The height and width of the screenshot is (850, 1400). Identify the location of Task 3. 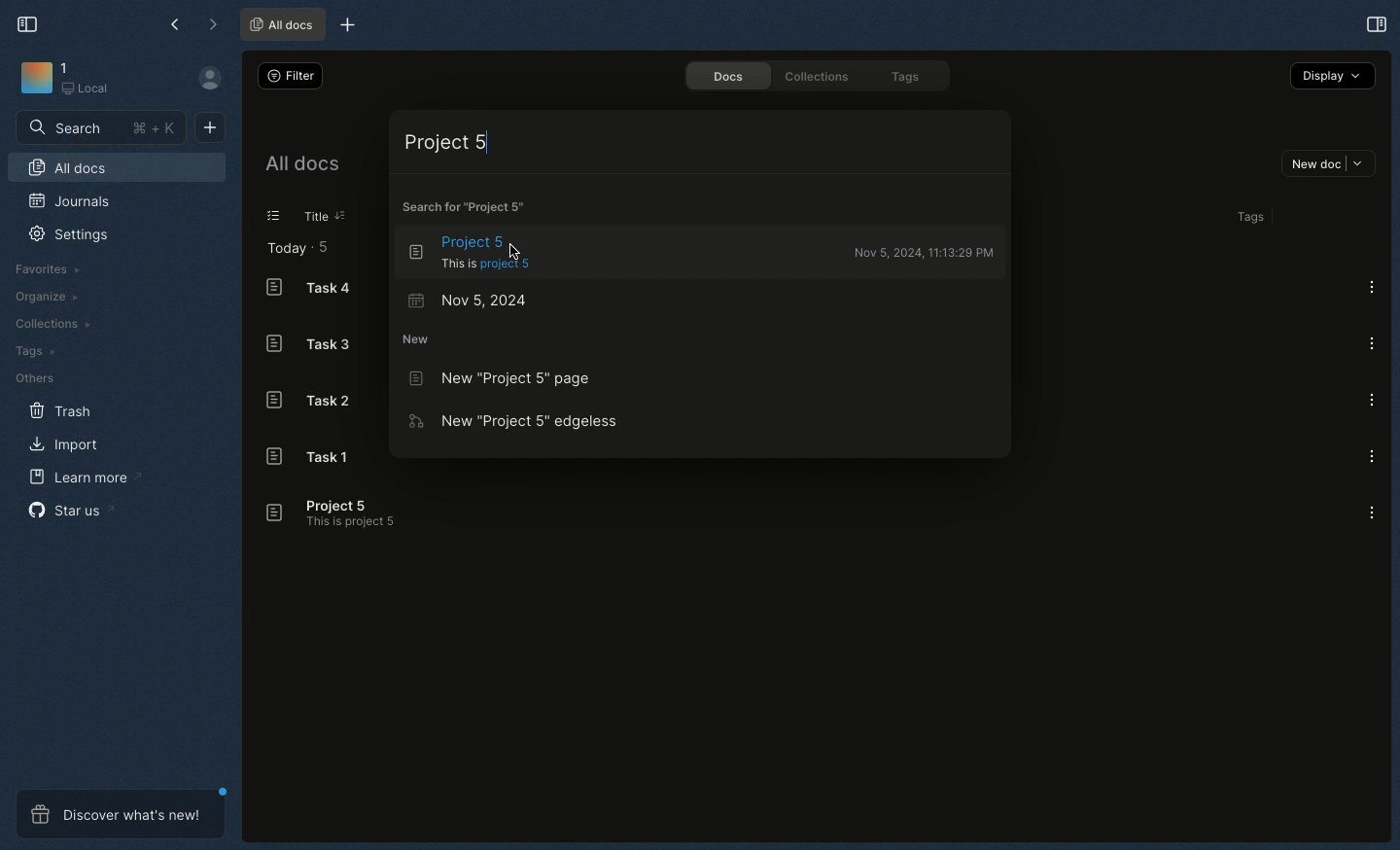
(304, 341).